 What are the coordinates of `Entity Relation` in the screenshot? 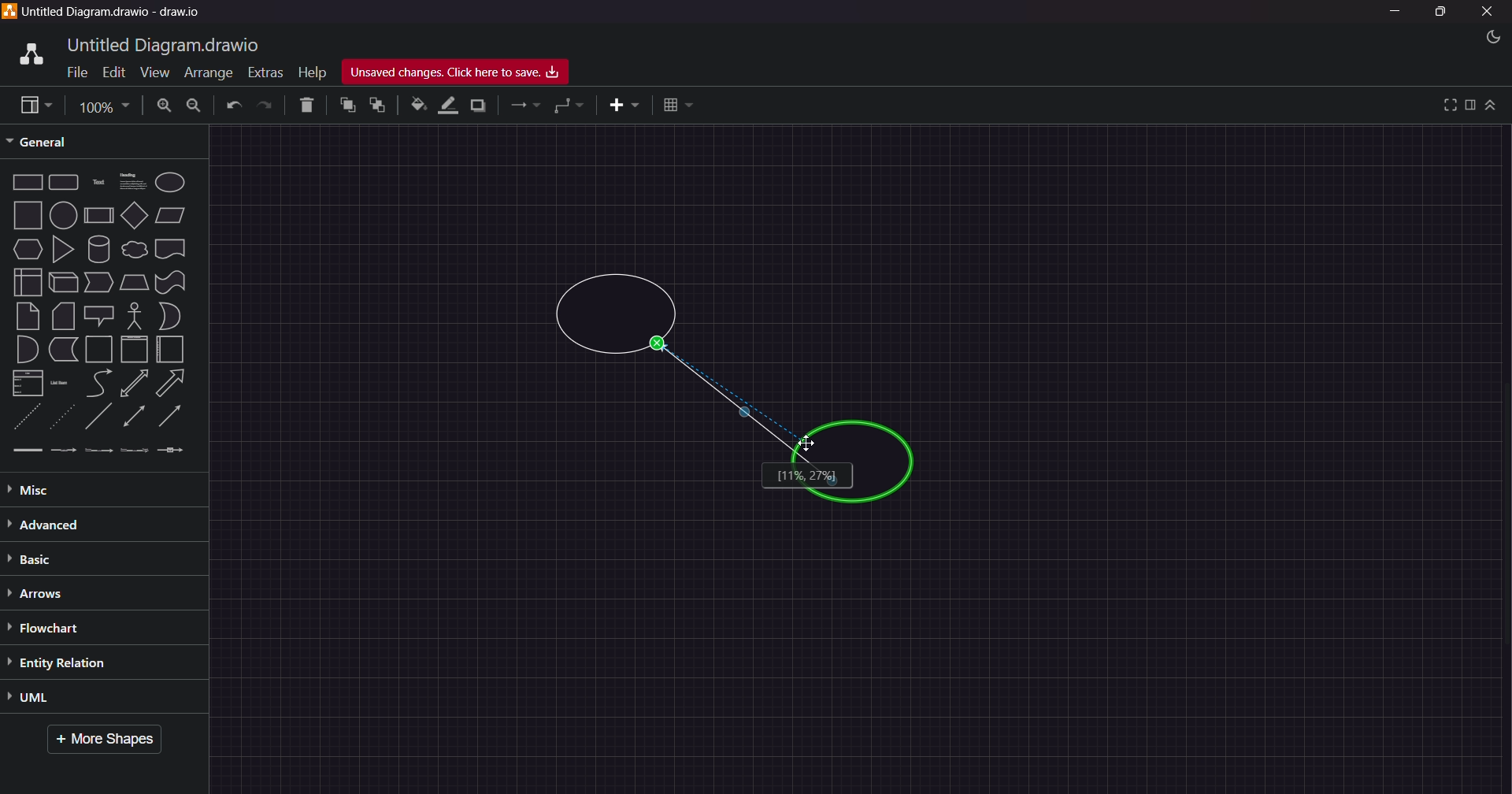 It's located at (78, 662).